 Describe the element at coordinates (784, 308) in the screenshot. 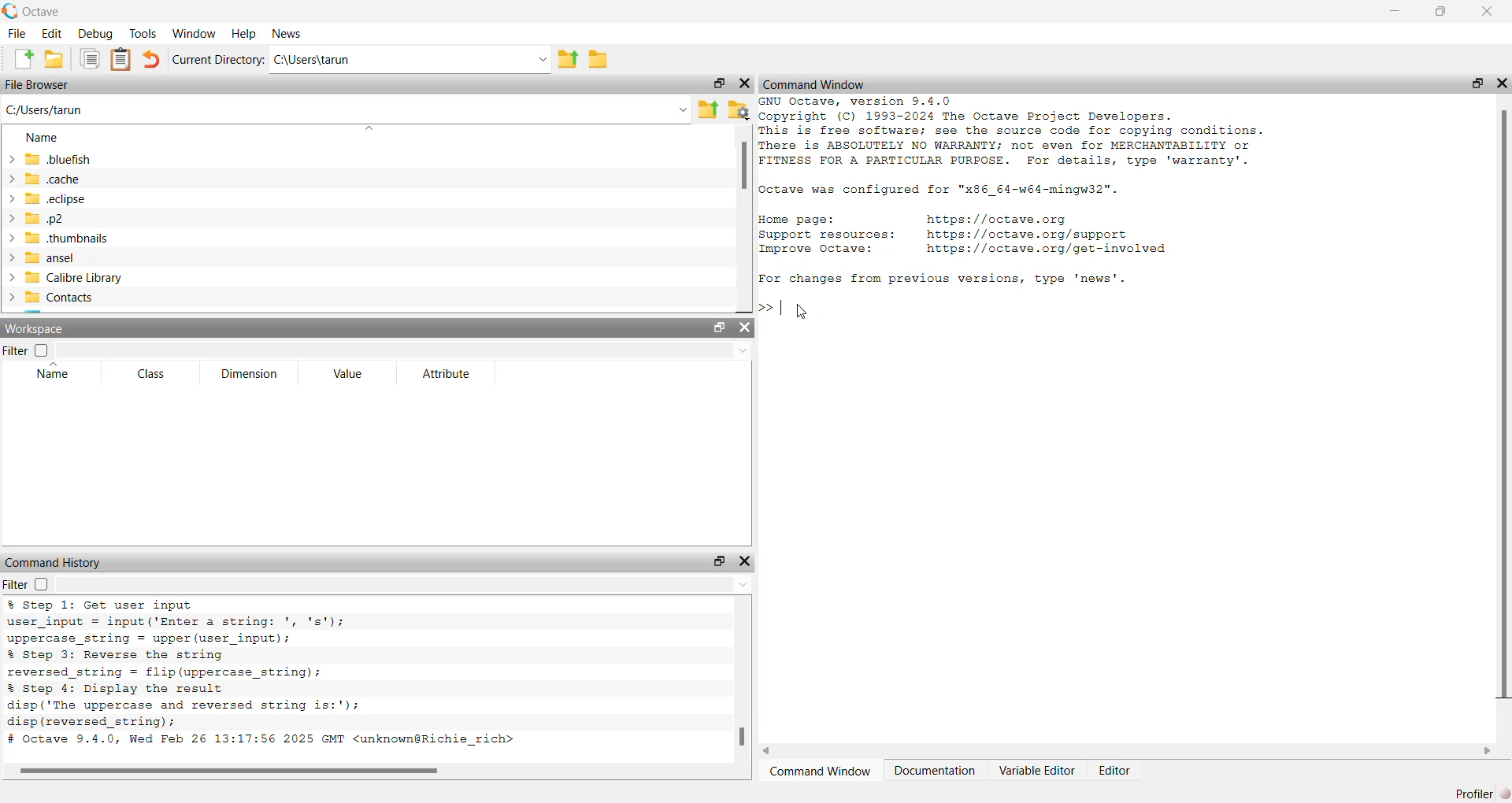

I see `typing cursor` at that location.